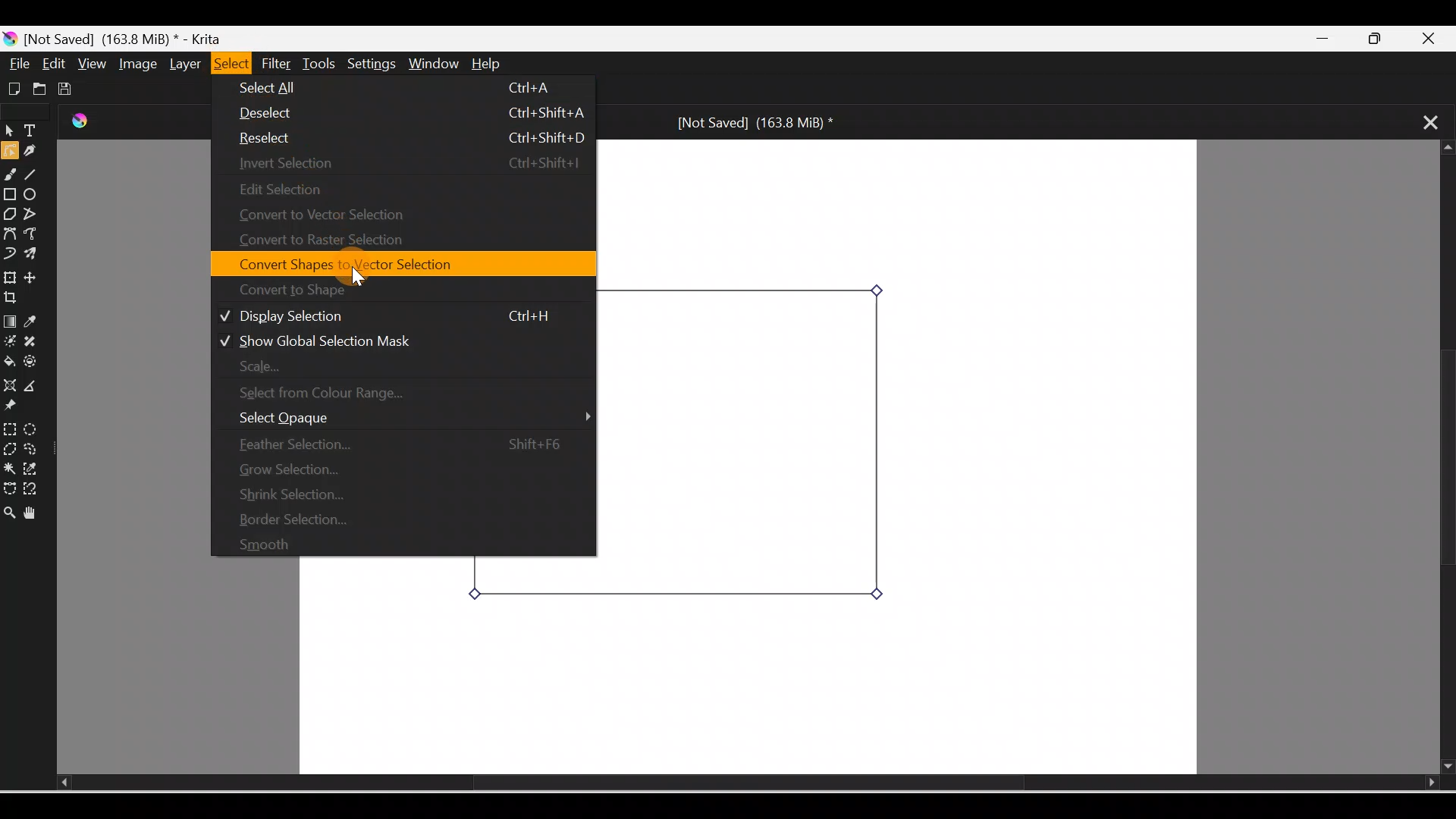 The width and height of the screenshot is (1456, 819). Describe the element at coordinates (9, 153) in the screenshot. I see `Edit shapes tool` at that location.